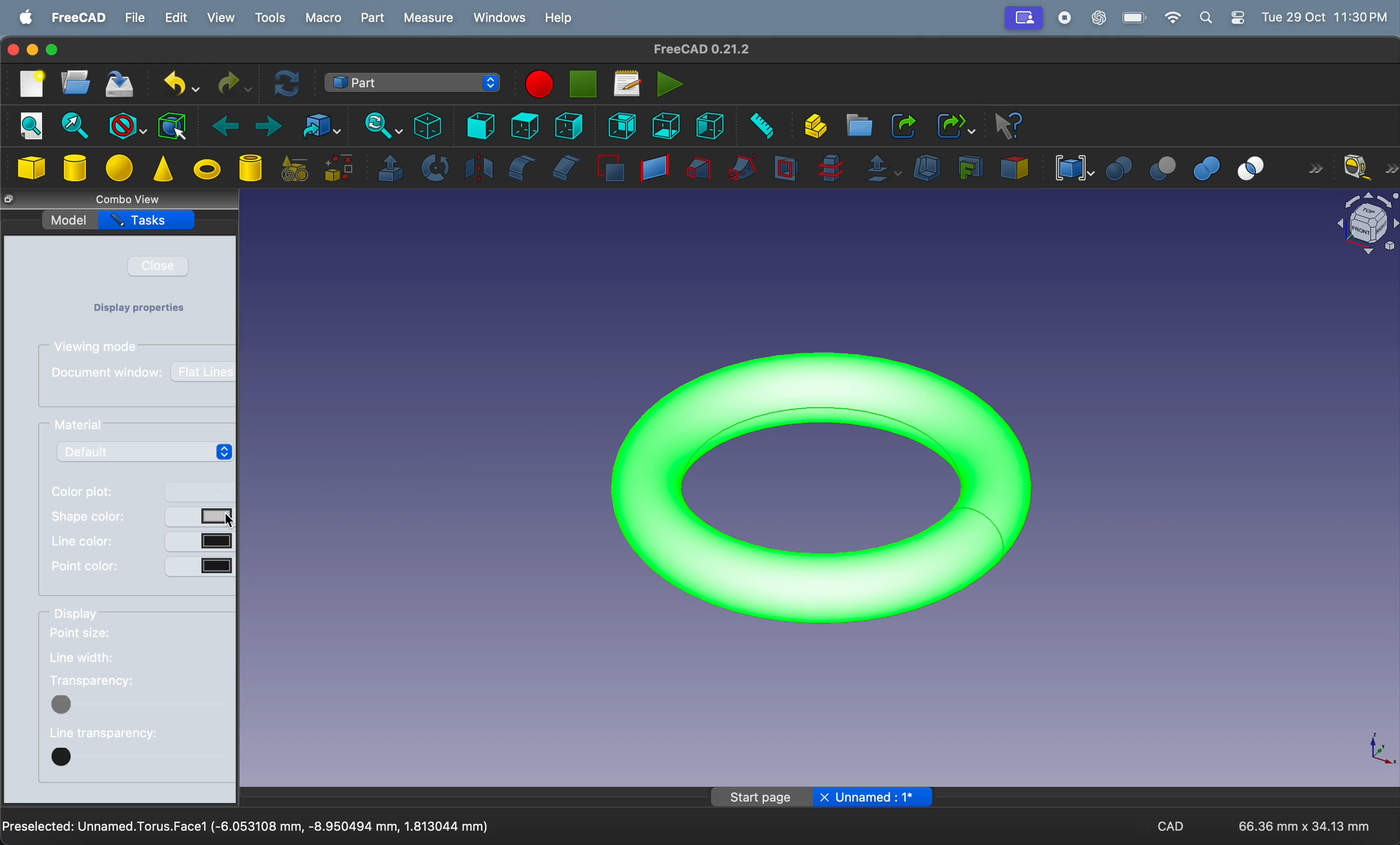  I want to click on button, so click(201, 567).